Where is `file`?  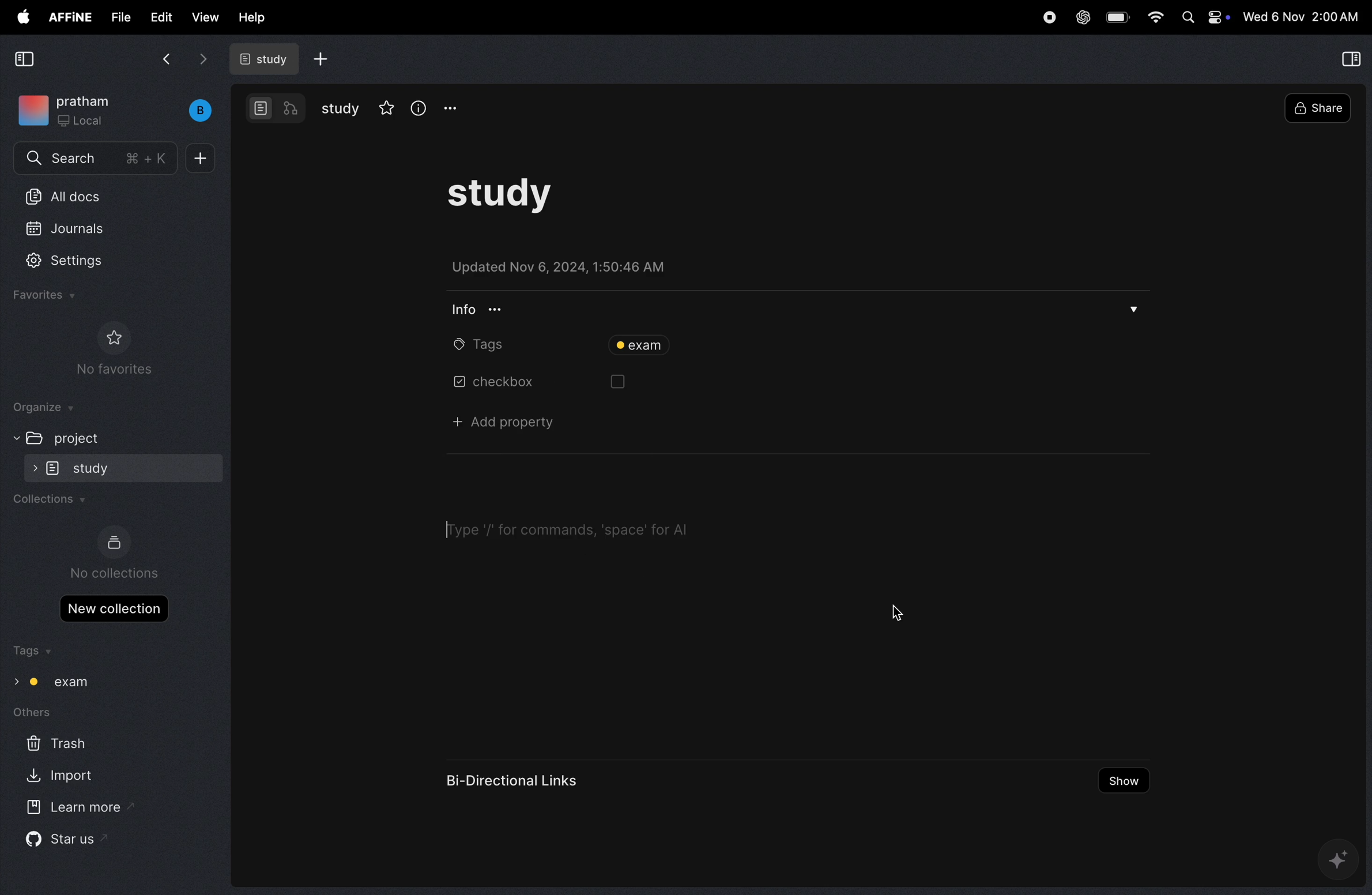 file is located at coordinates (122, 18).